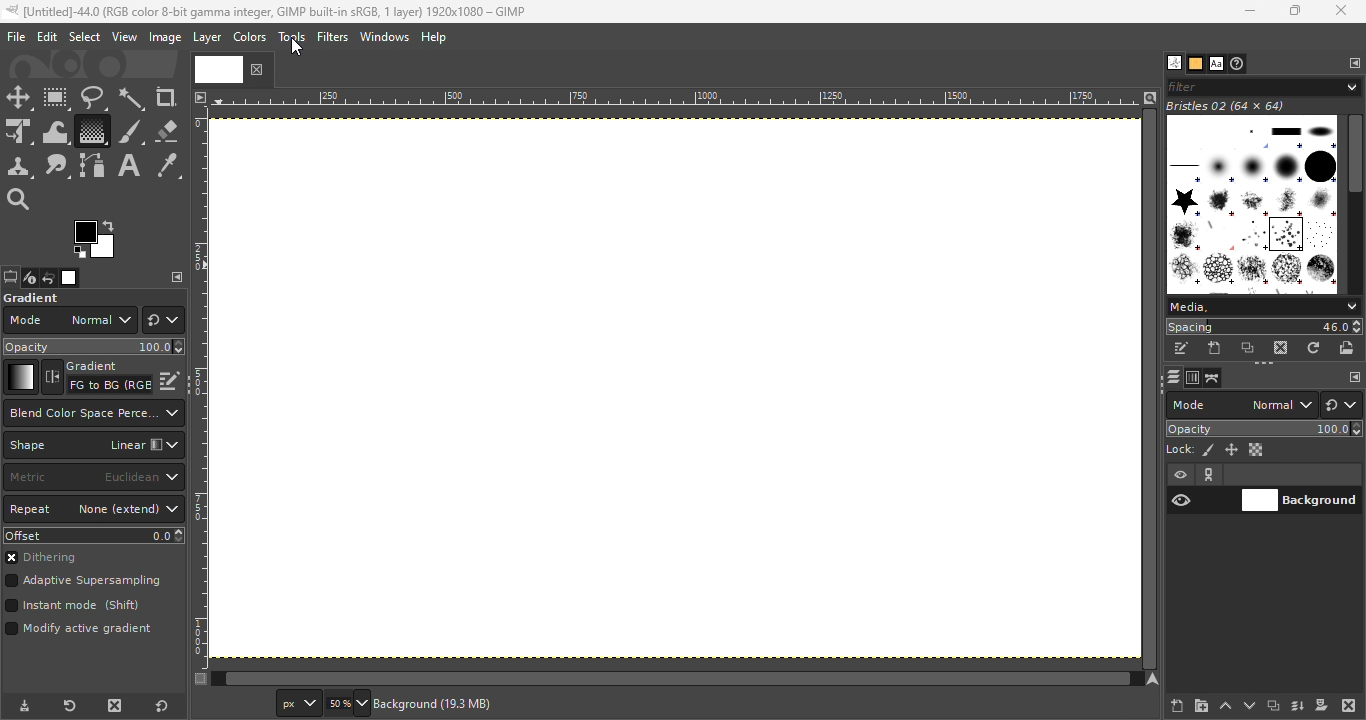 This screenshot has height=720, width=1366. I want to click on Dithering, so click(49, 559).